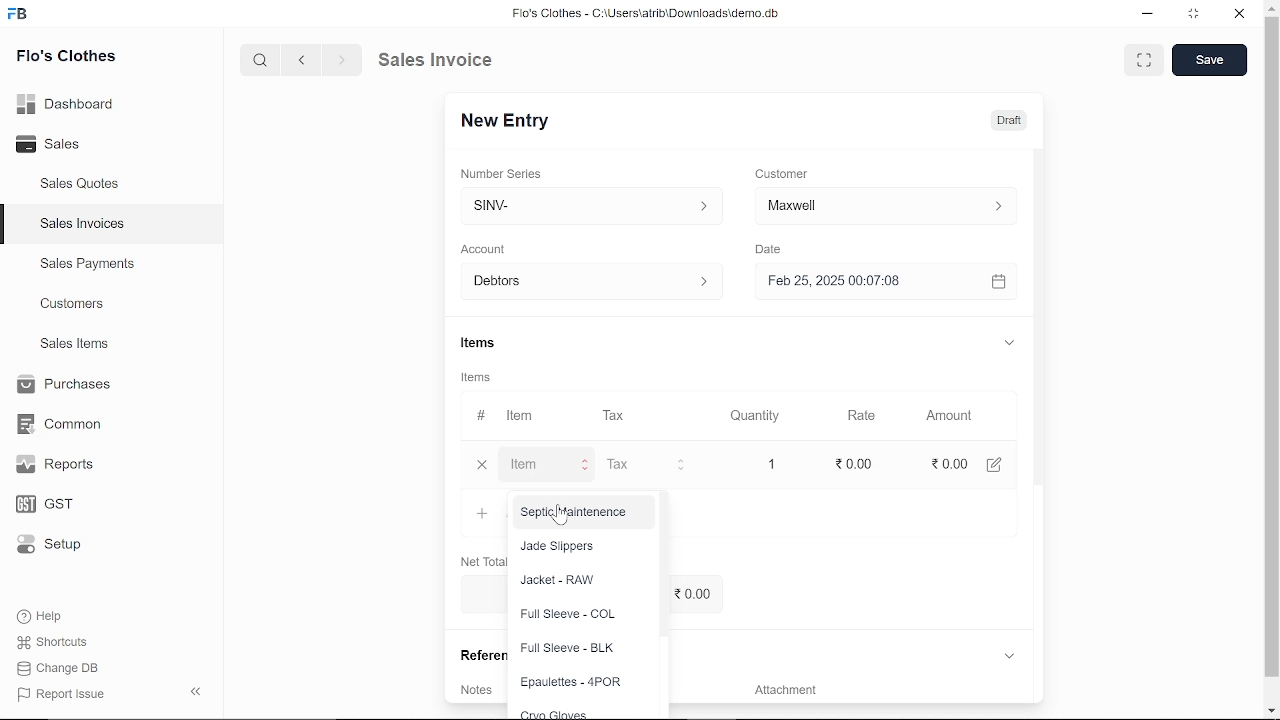 The height and width of the screenshot is (720, 1280). I want to click on expand, so click(1020, 344).